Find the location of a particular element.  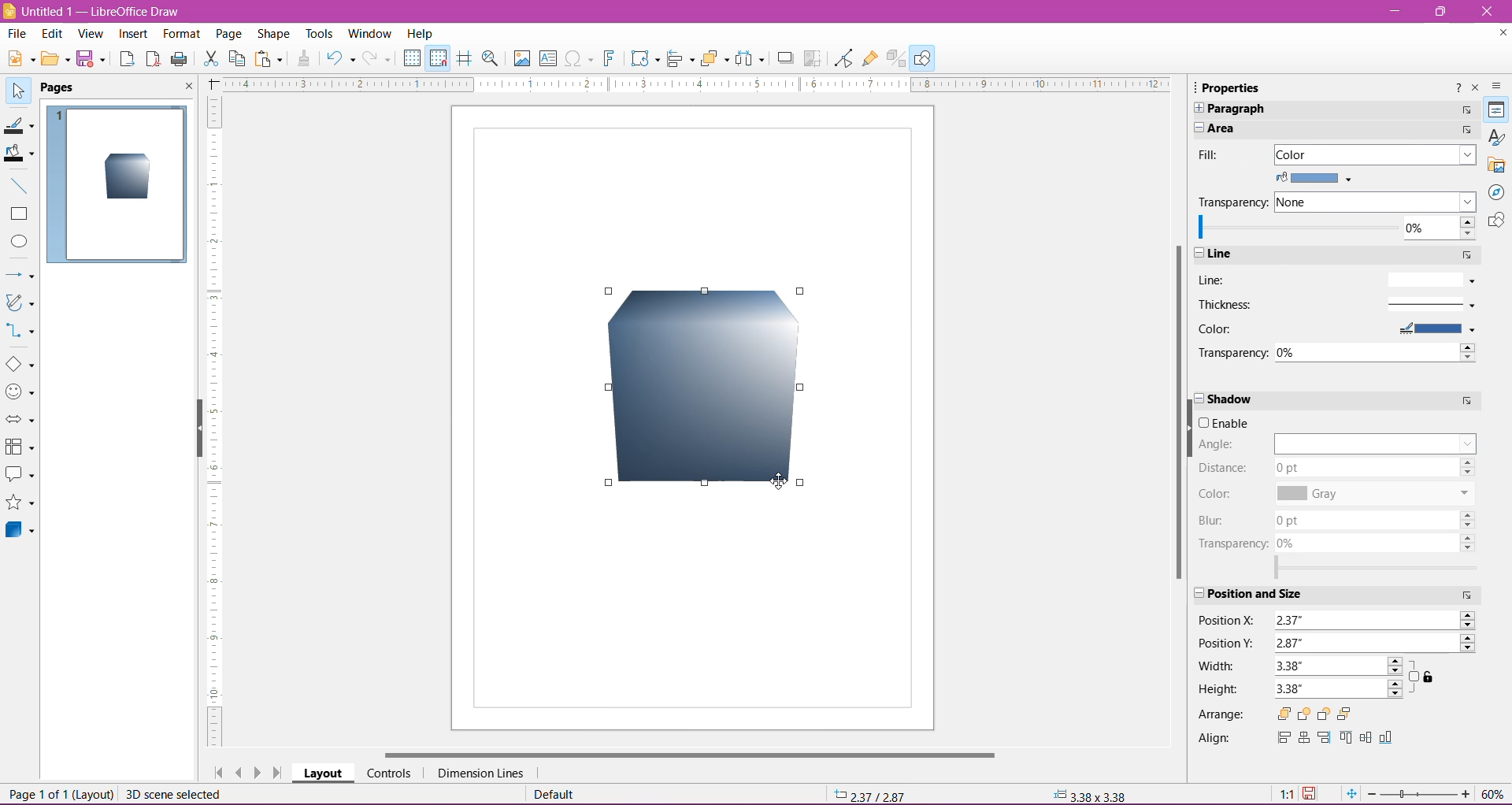

Enable/Disable Shadow is located at coordinates (1229, 423).